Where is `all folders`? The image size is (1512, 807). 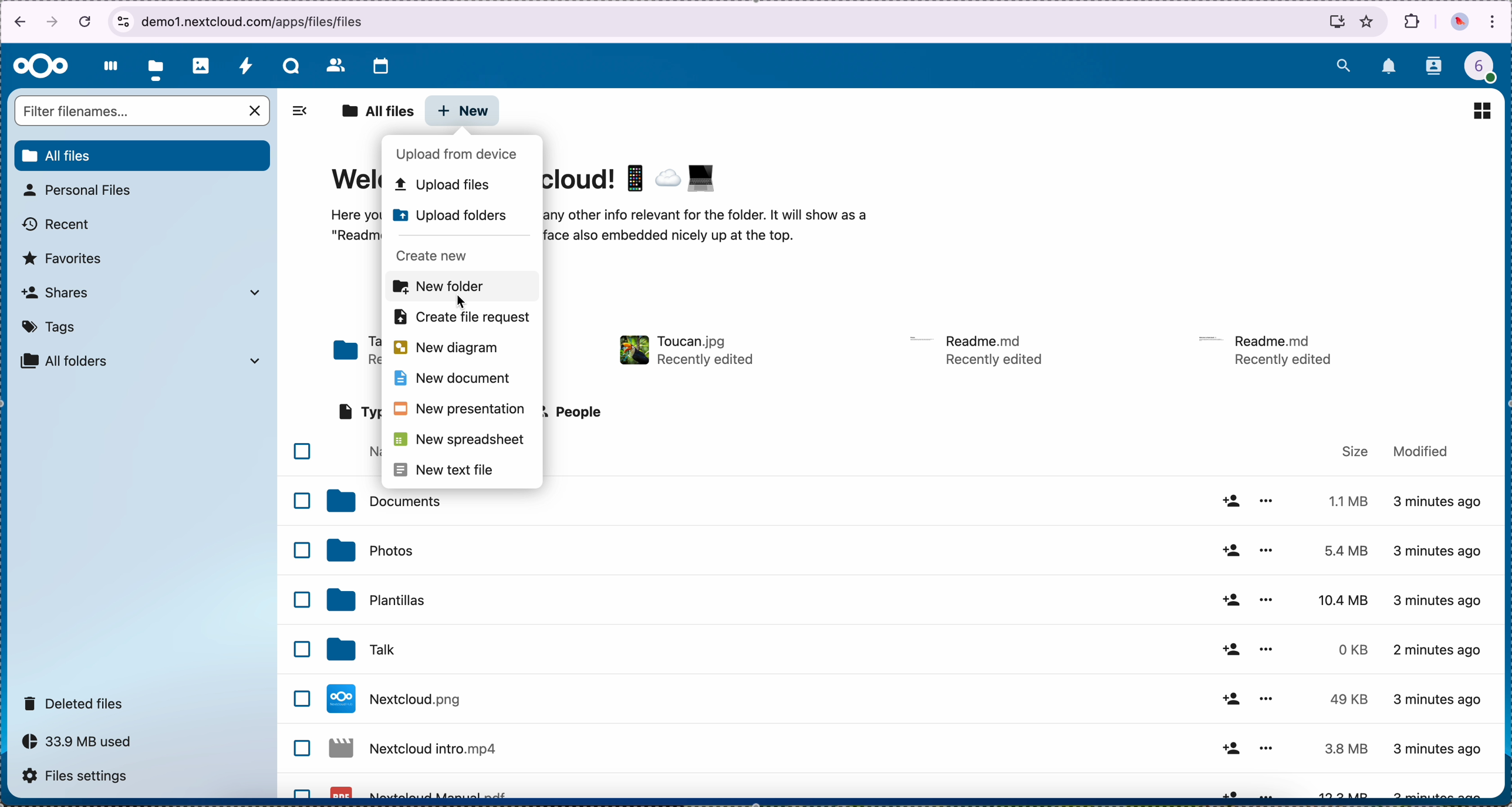
all folders is located at coordinates (141, 361).